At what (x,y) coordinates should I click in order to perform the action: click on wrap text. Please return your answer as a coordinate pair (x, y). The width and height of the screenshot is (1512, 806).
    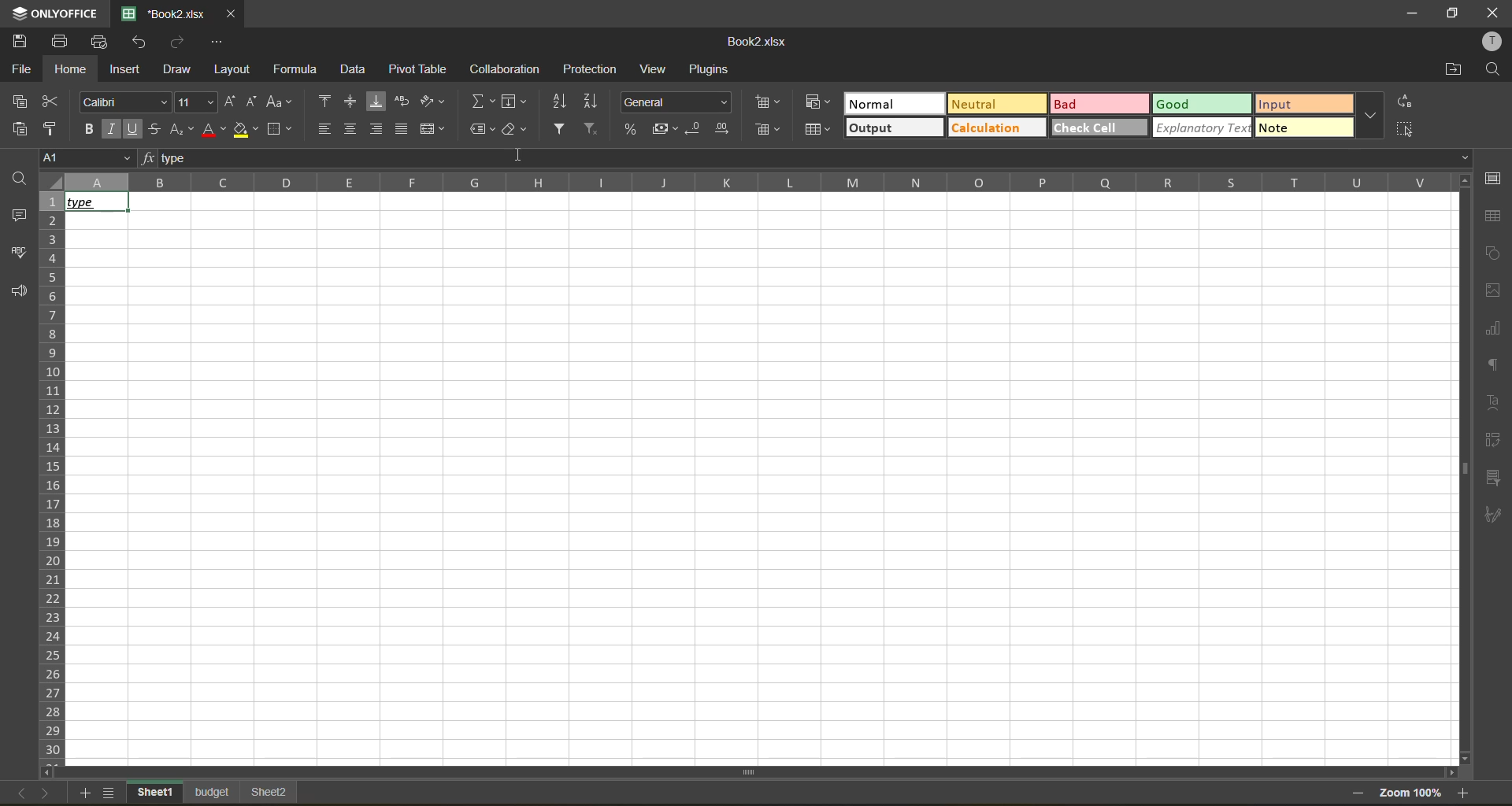
    Looking at the image, I should click on (406, 104).